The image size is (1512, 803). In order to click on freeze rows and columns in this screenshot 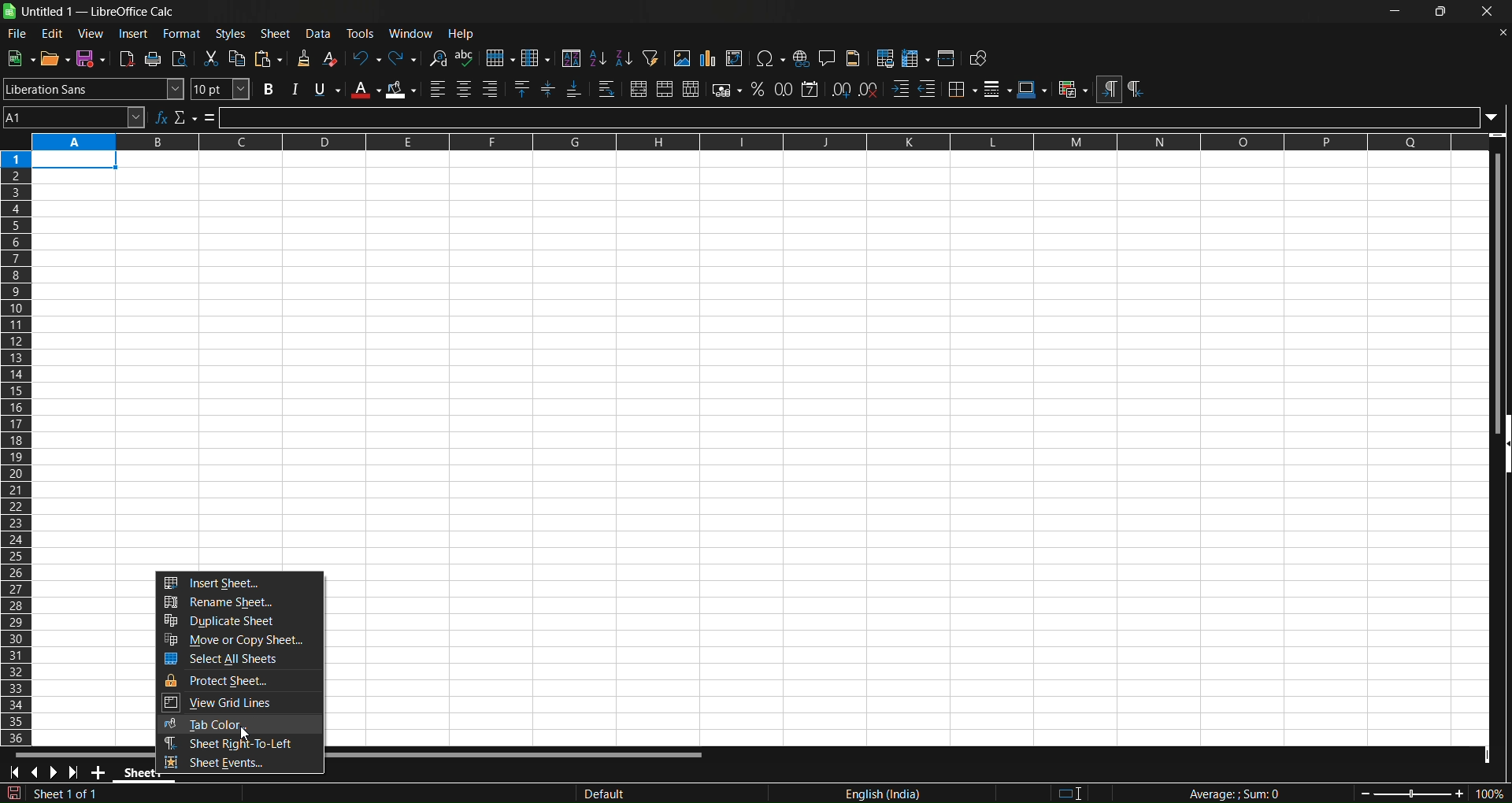, I will do `click(916, 58)`.